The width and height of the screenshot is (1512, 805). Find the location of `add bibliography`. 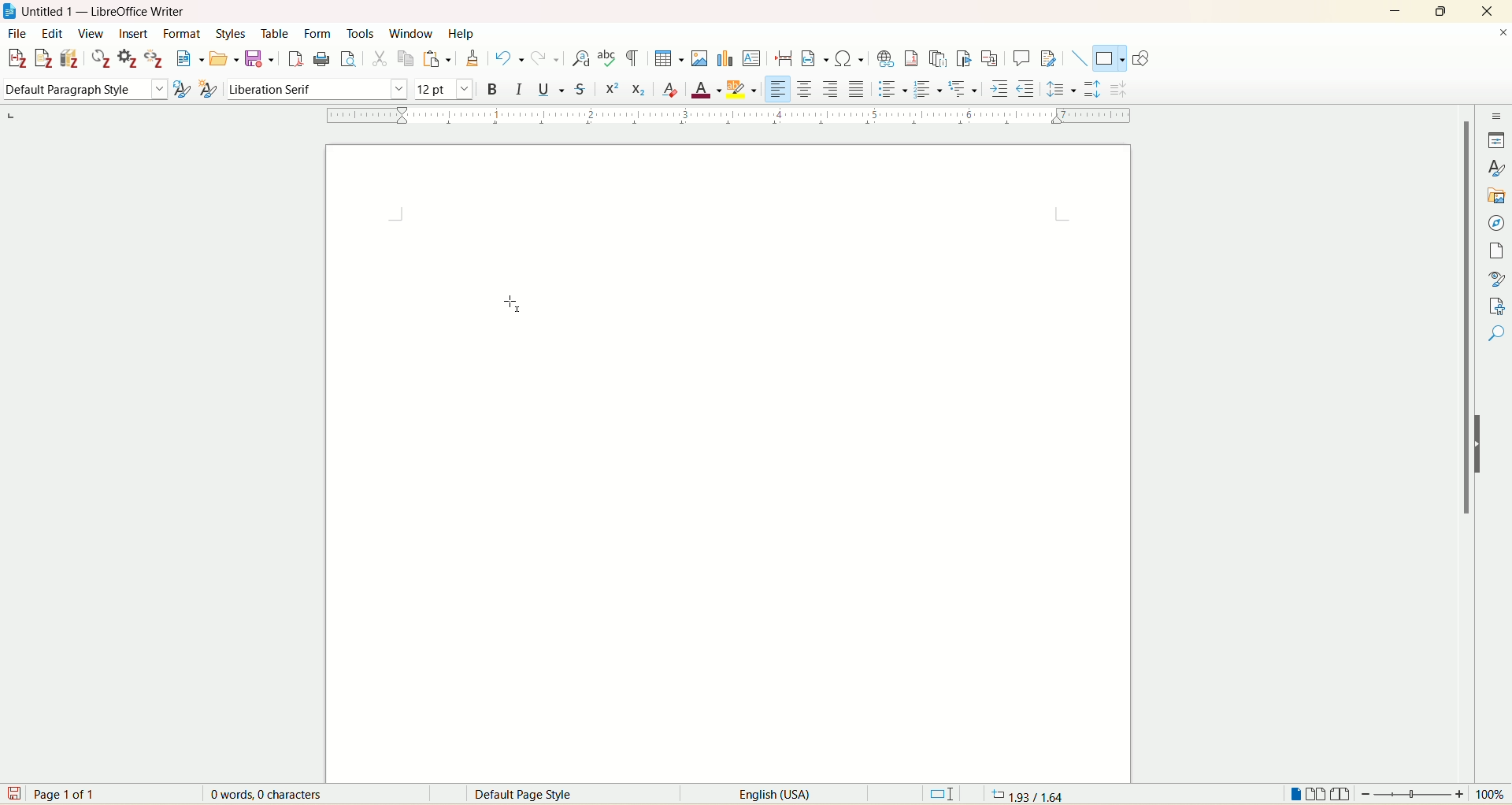

add bibliography is located at coordinates (71, 58).